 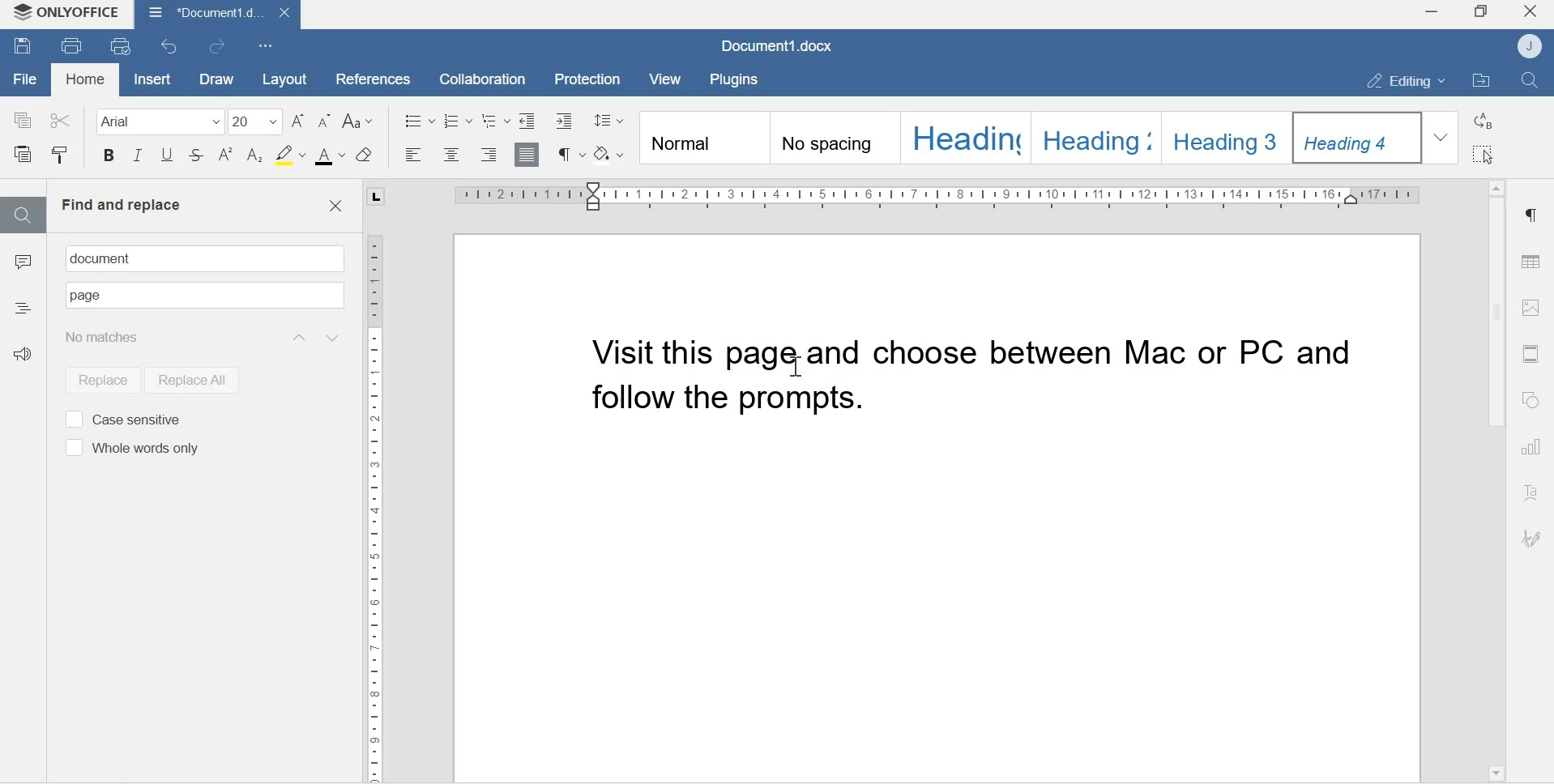 What do you see at coordinates (128, 336) in the screenshot?
I see `Search results: 1/1` at bounding box center [128, 336].